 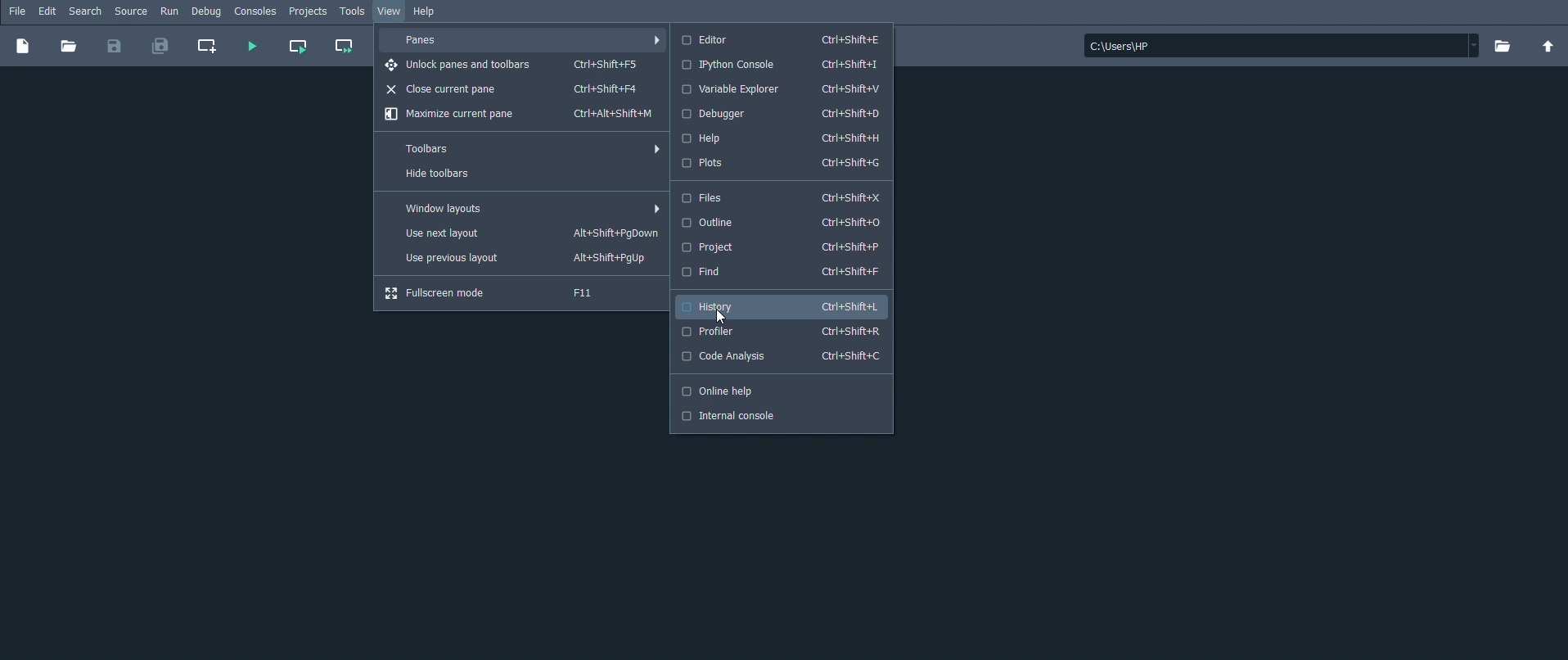 What do you see at coordinates (786, 88) in the screenshot?
I see `Variable Explorer` at bounding box center [786, 88].